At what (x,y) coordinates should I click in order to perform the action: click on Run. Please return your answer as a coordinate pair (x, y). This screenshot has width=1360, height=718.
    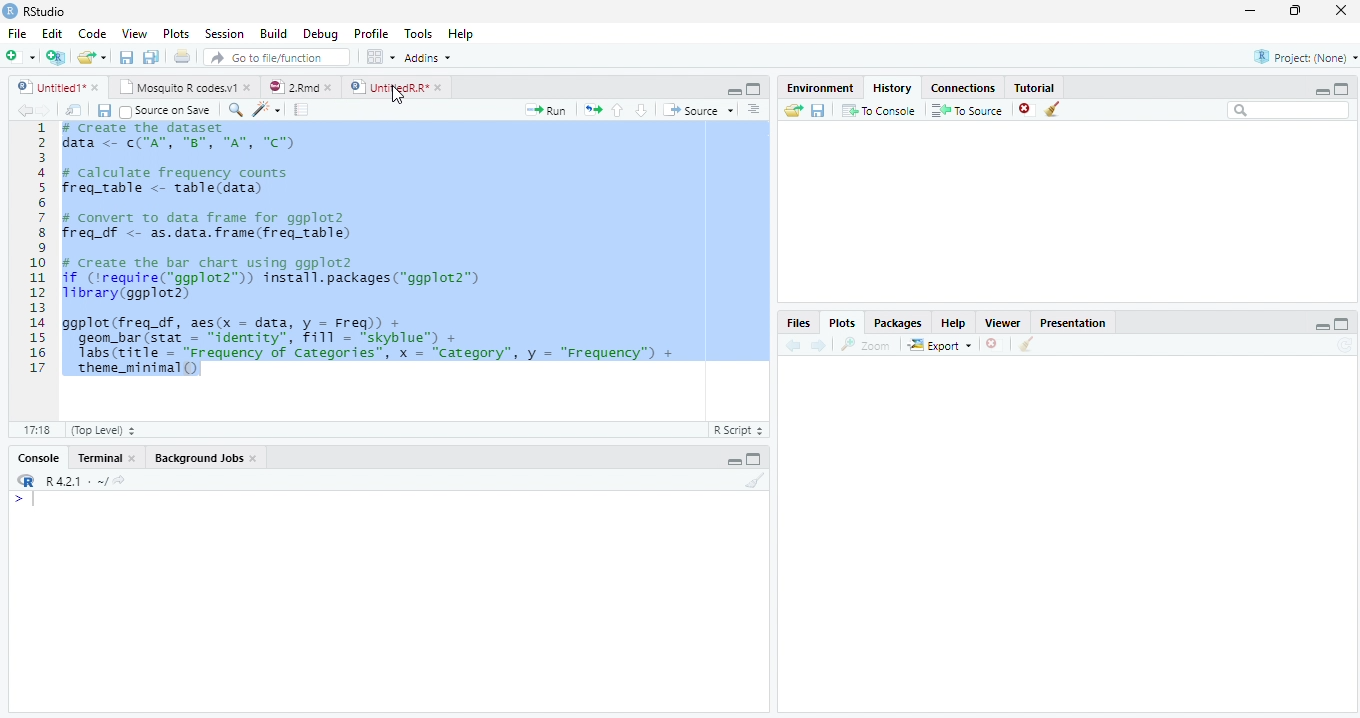
    Looking at the image, I should click on (549, 110).